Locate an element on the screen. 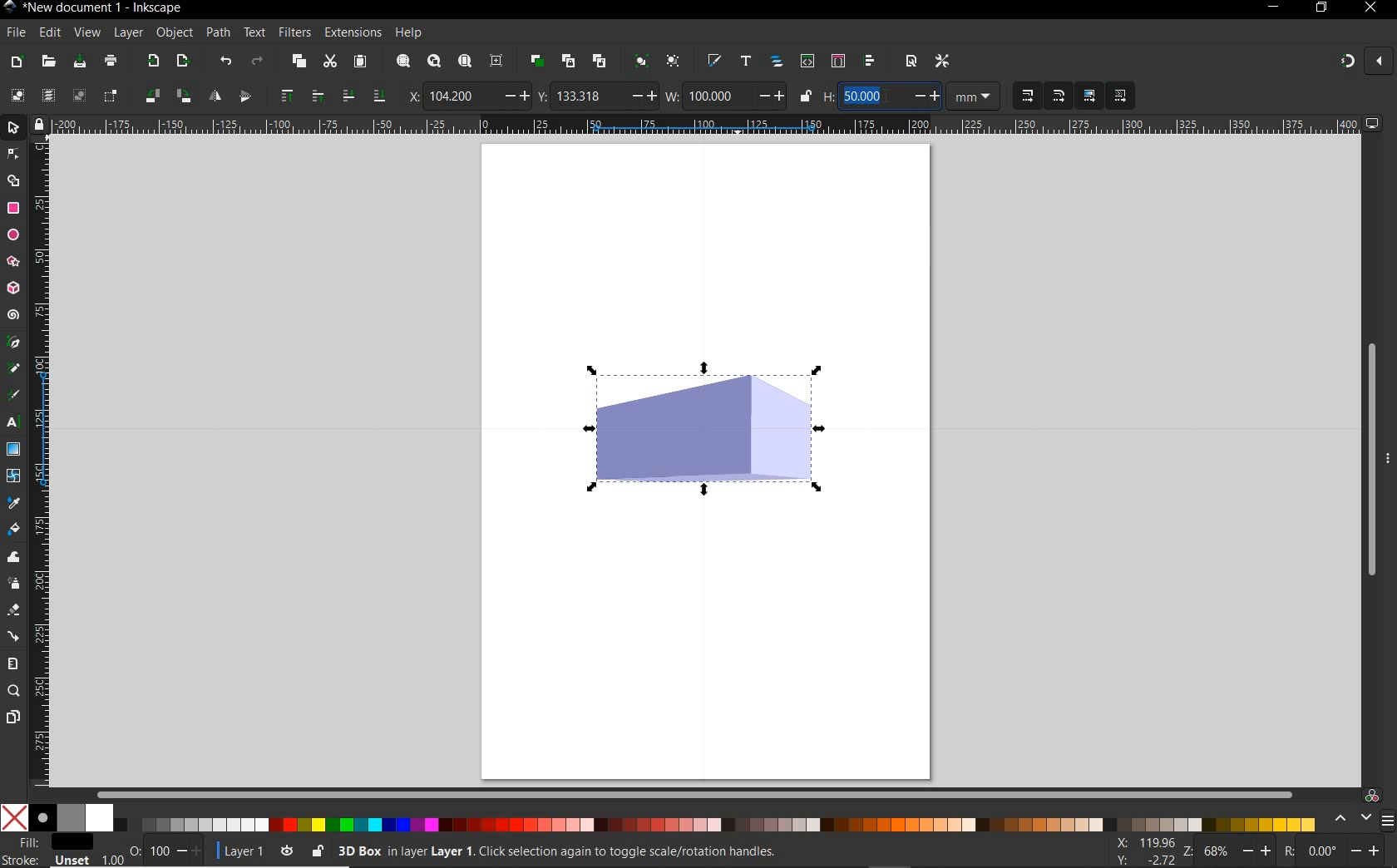 This screenshot has height=868, width=1397. open selectors is located at coordinates (837, 60).